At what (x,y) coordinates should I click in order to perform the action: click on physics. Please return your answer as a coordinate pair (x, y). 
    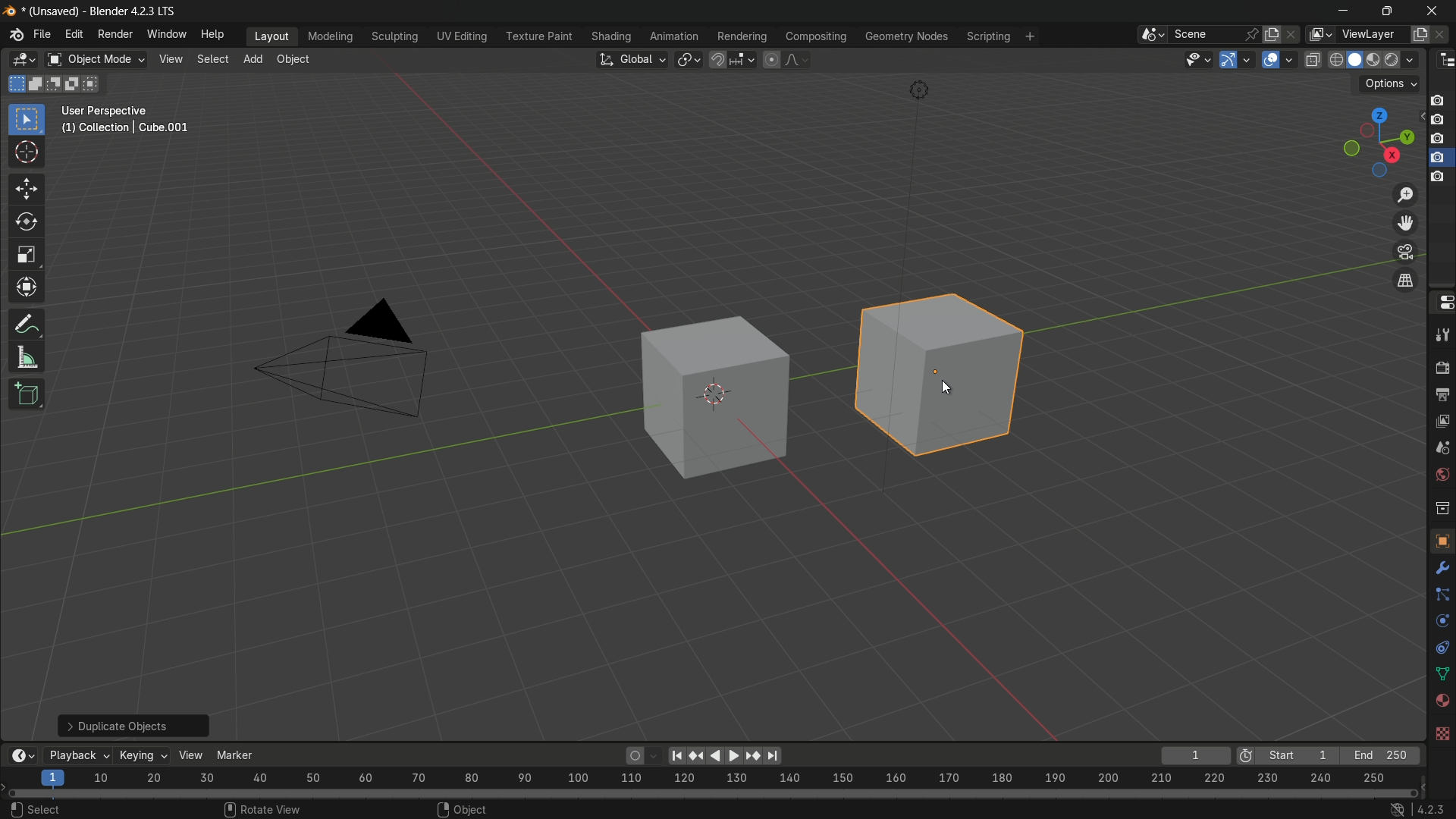
    Looking at the image, I should click on (1441, 623).